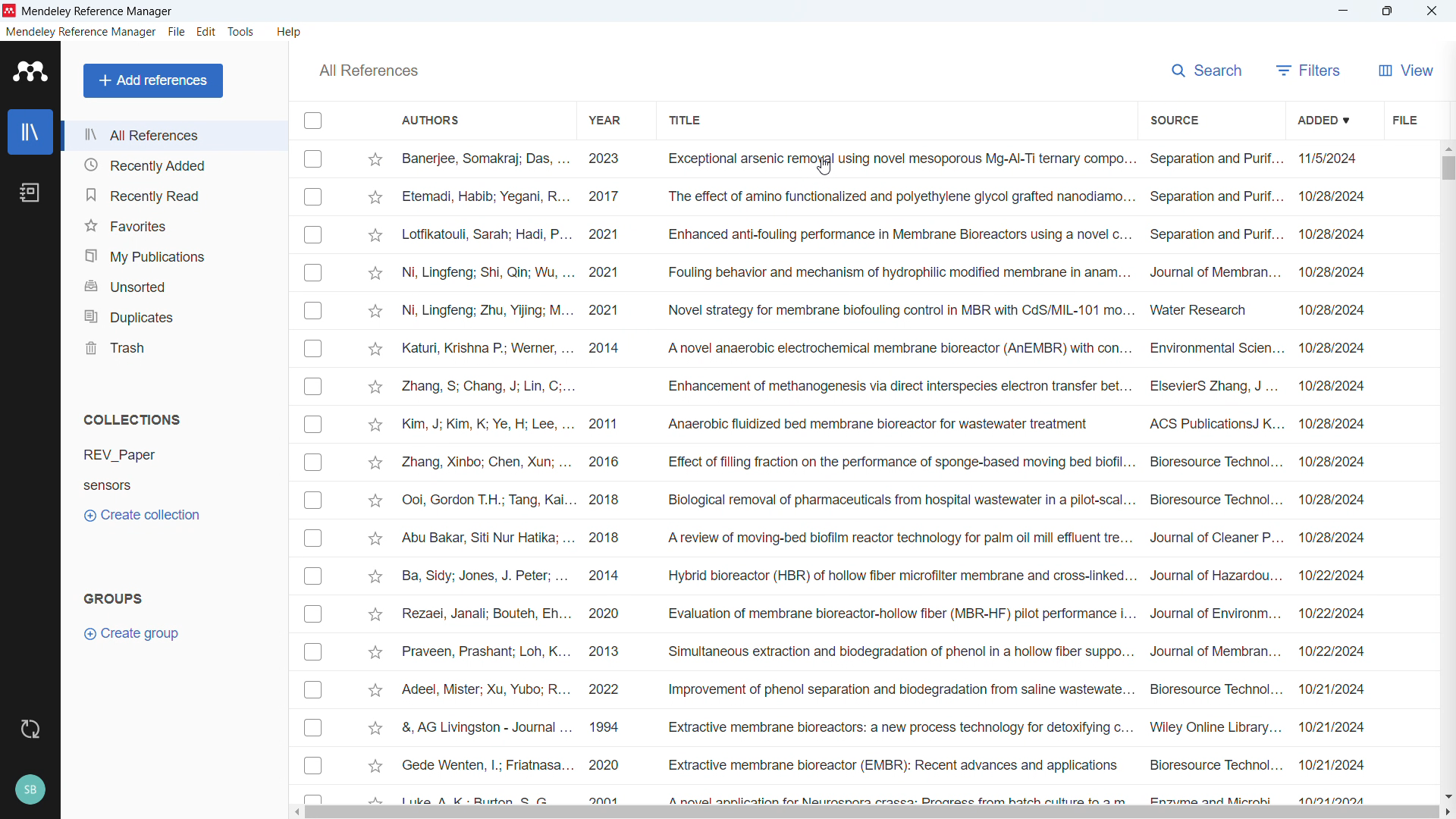 The width and height of the screenshot is (1456, 819). What do you see at coordinates (1213, 765) in the screenshot?
I see `bioresource technology` at bounding box center [1213, 765].